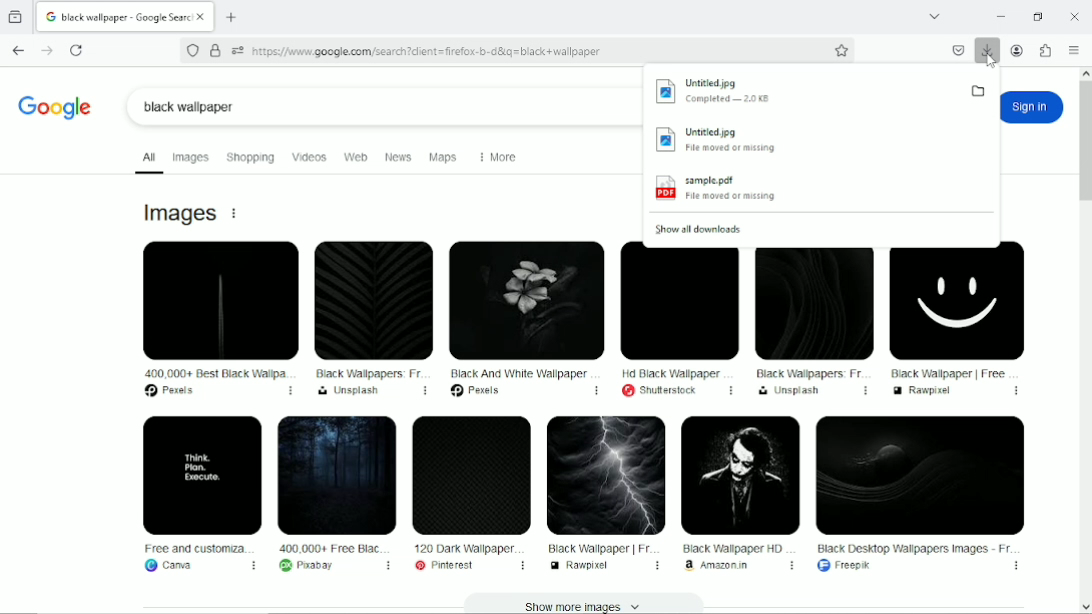 This screenshot has height=614, width=1092. I want to click on Images, so click(190, 157).